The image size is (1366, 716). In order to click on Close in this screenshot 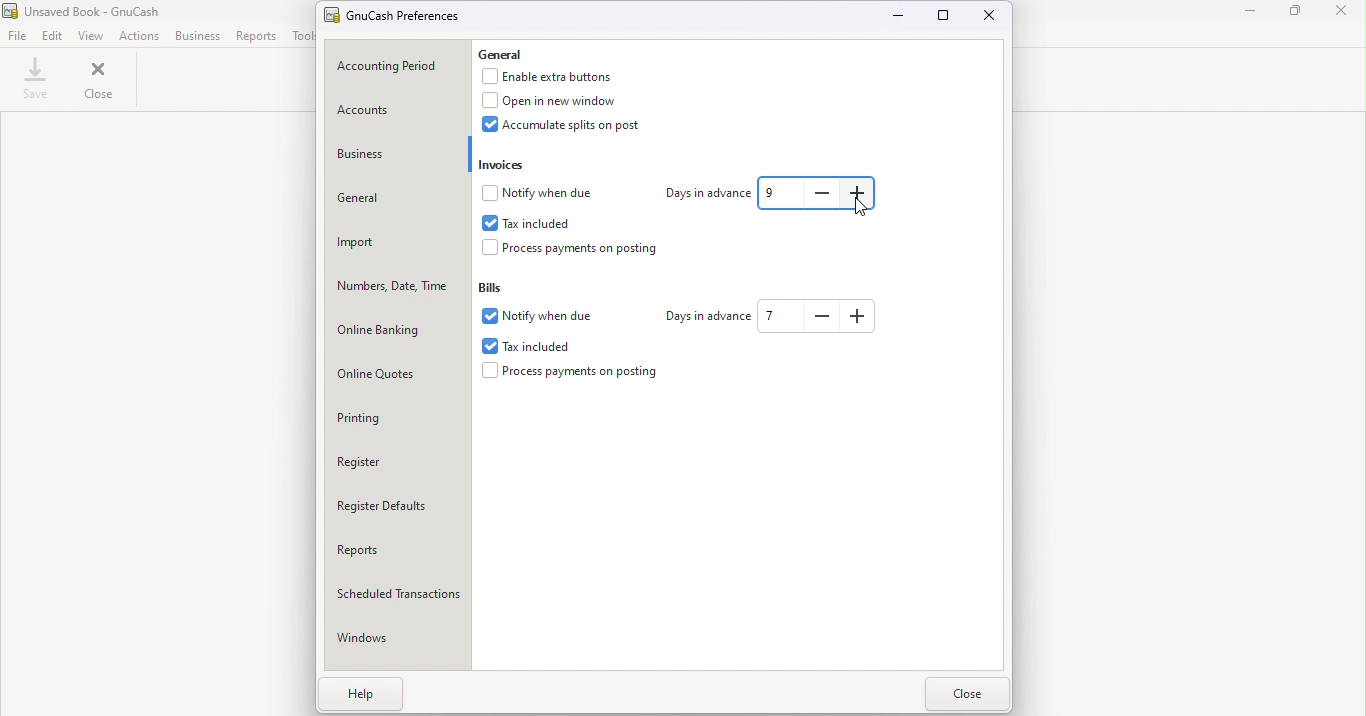, I will do `click(1344, 14)`.